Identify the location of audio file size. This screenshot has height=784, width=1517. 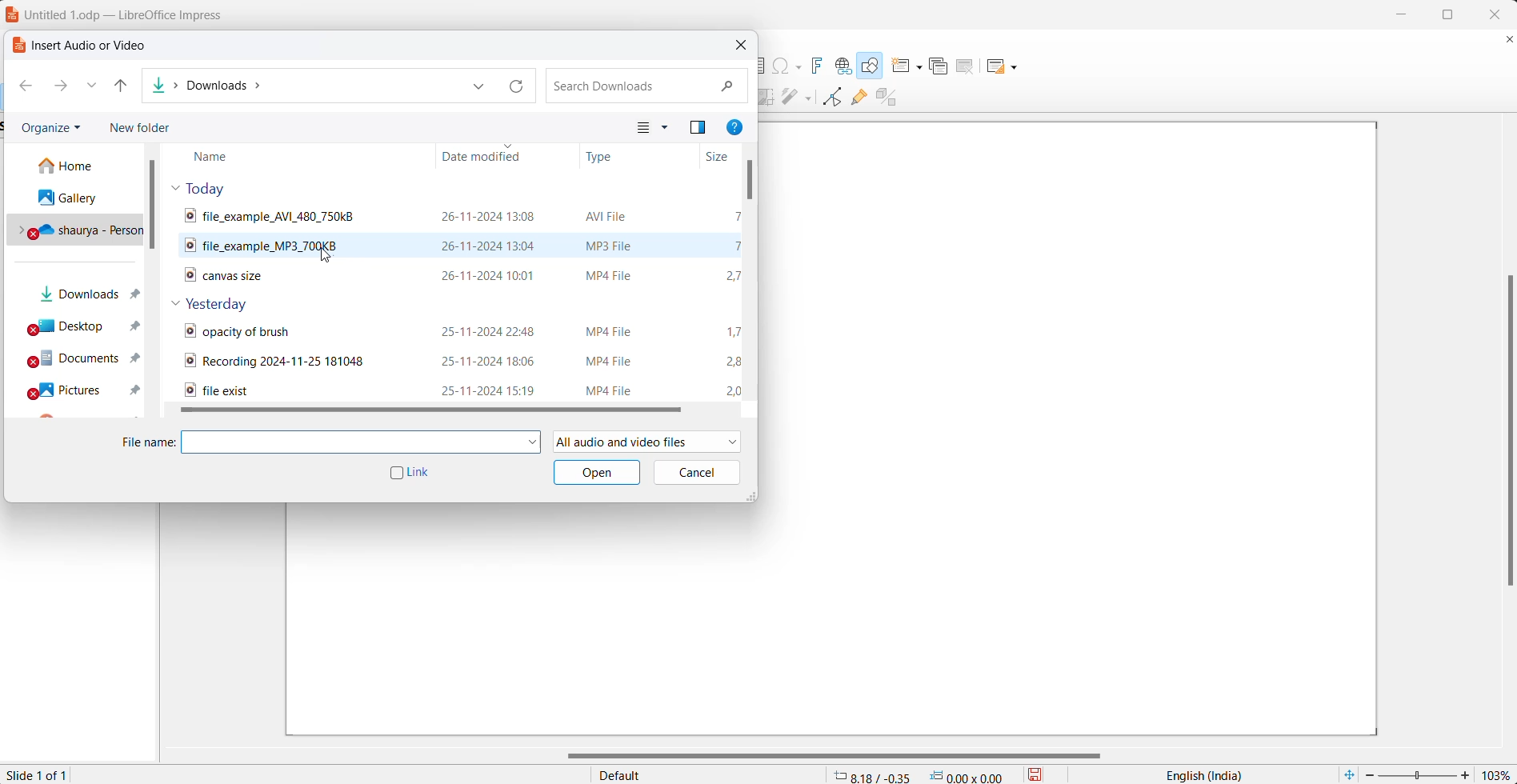
(737, 243).